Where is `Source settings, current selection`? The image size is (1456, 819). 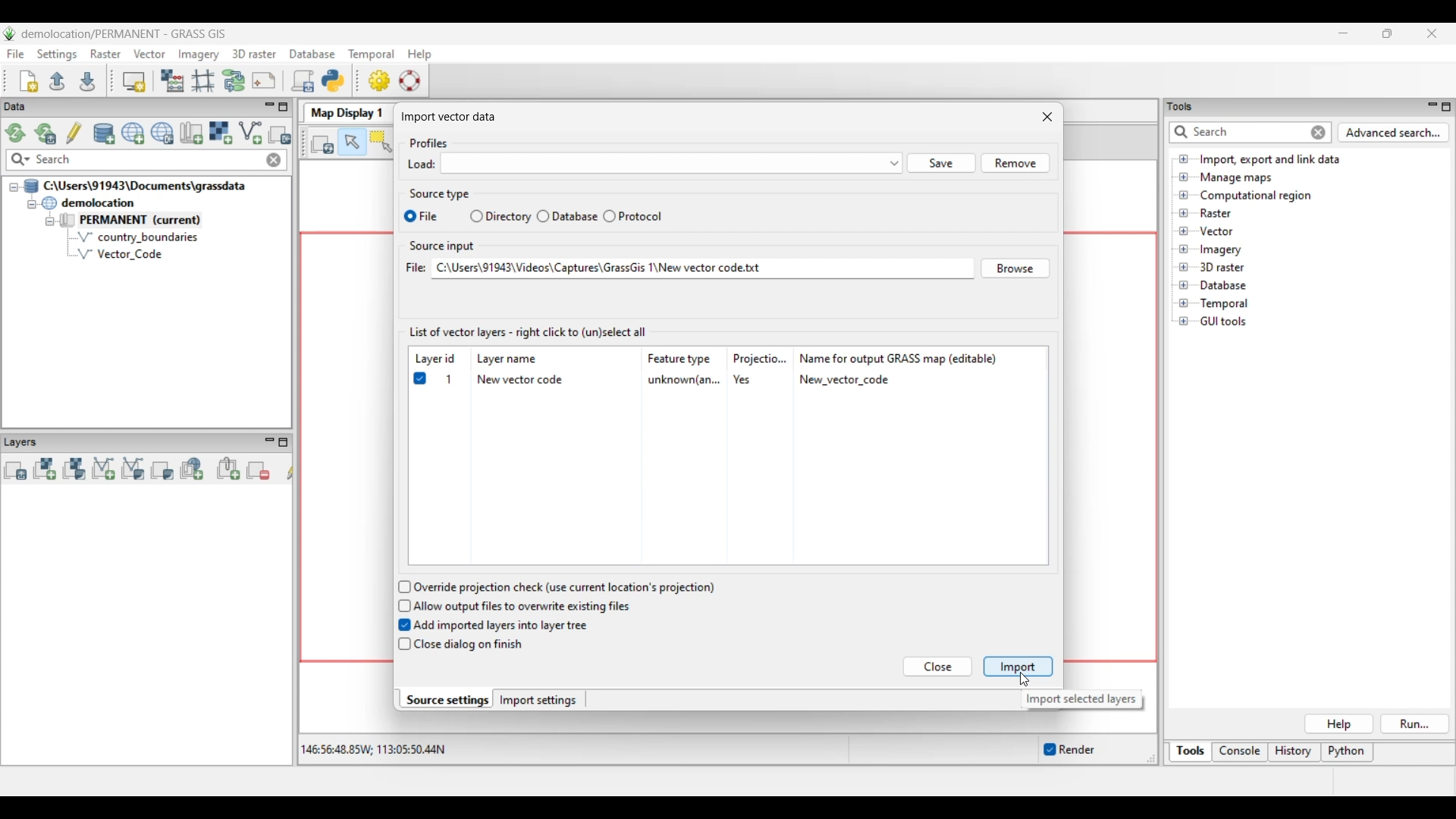
Source settings, current selection is located at coordinates (446, 699).